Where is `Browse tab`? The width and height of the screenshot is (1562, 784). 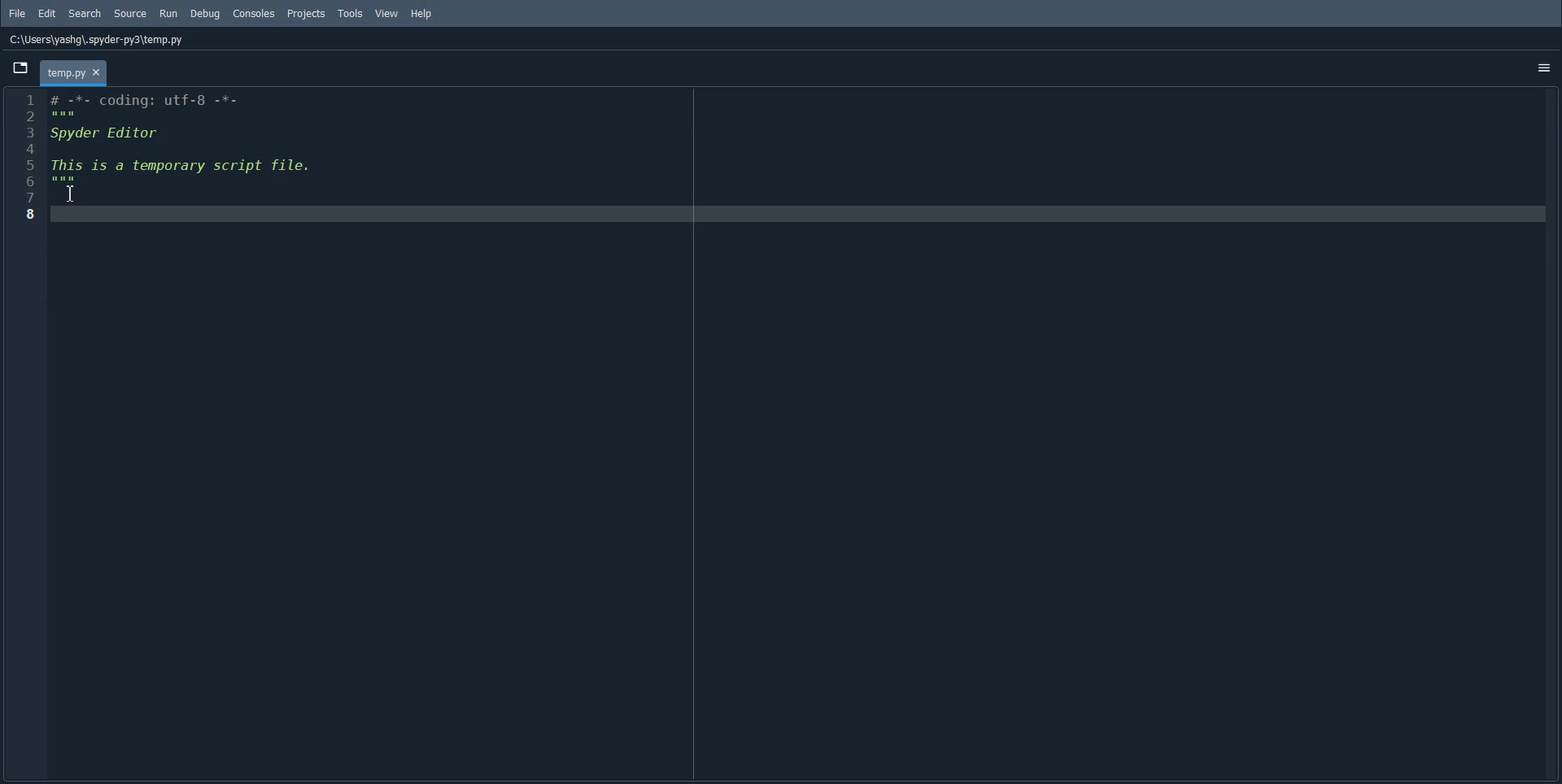 Browse tab is located at coordinates (20, 70).